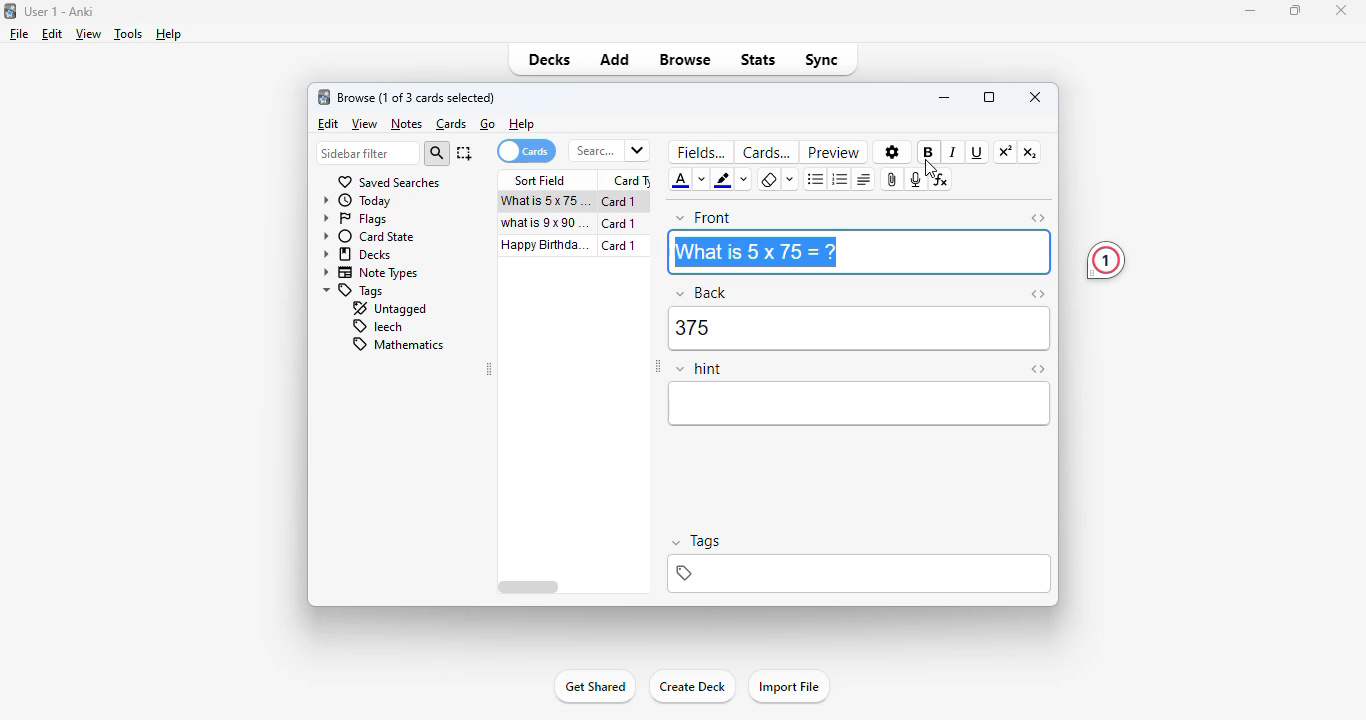 This screenshot has height=720, width=1366. Describe the element at coordinates (616, 59) in the screenshot. I see `add` at that location.